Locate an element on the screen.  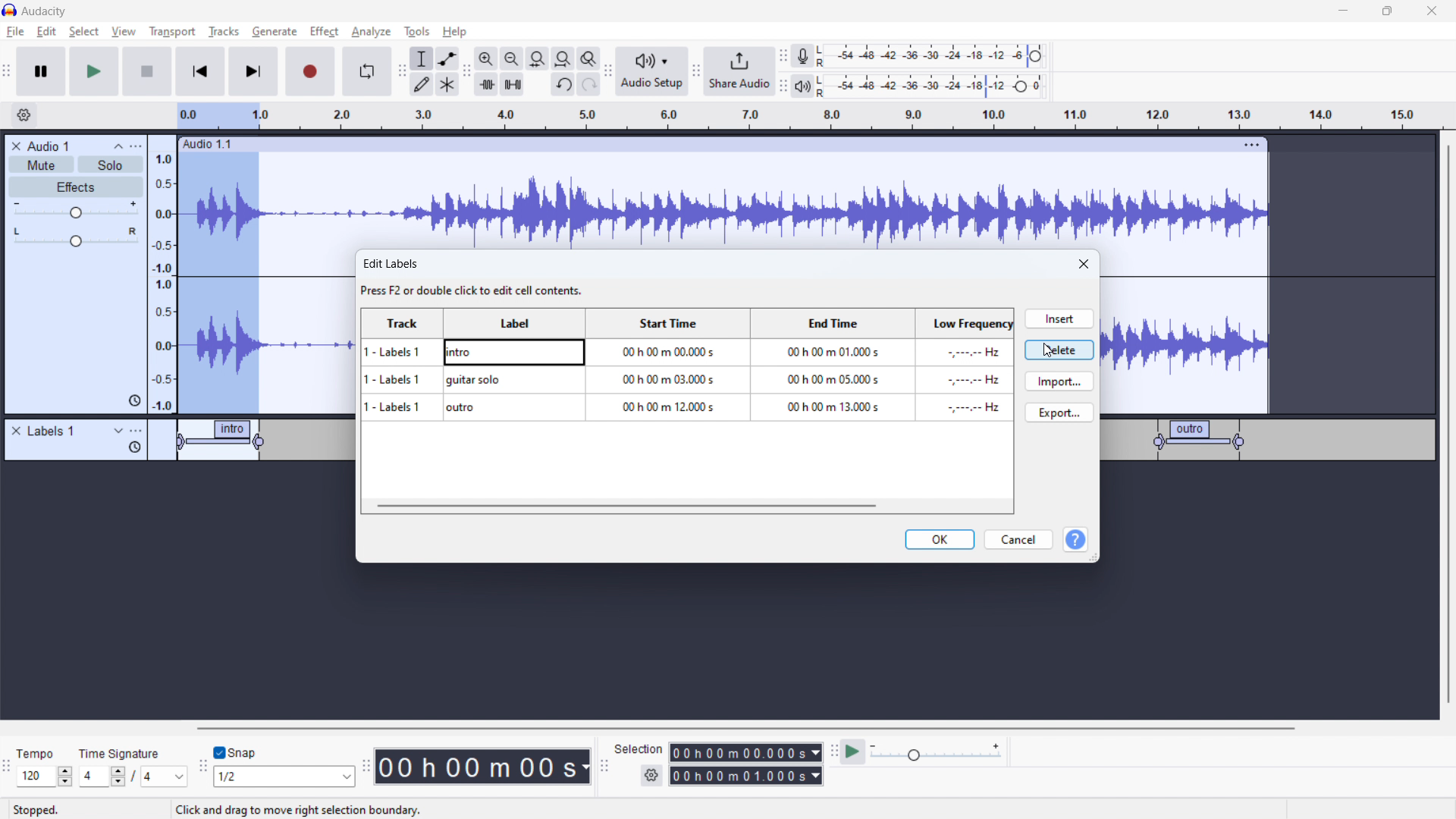
history is located at coordinates (134, 401).